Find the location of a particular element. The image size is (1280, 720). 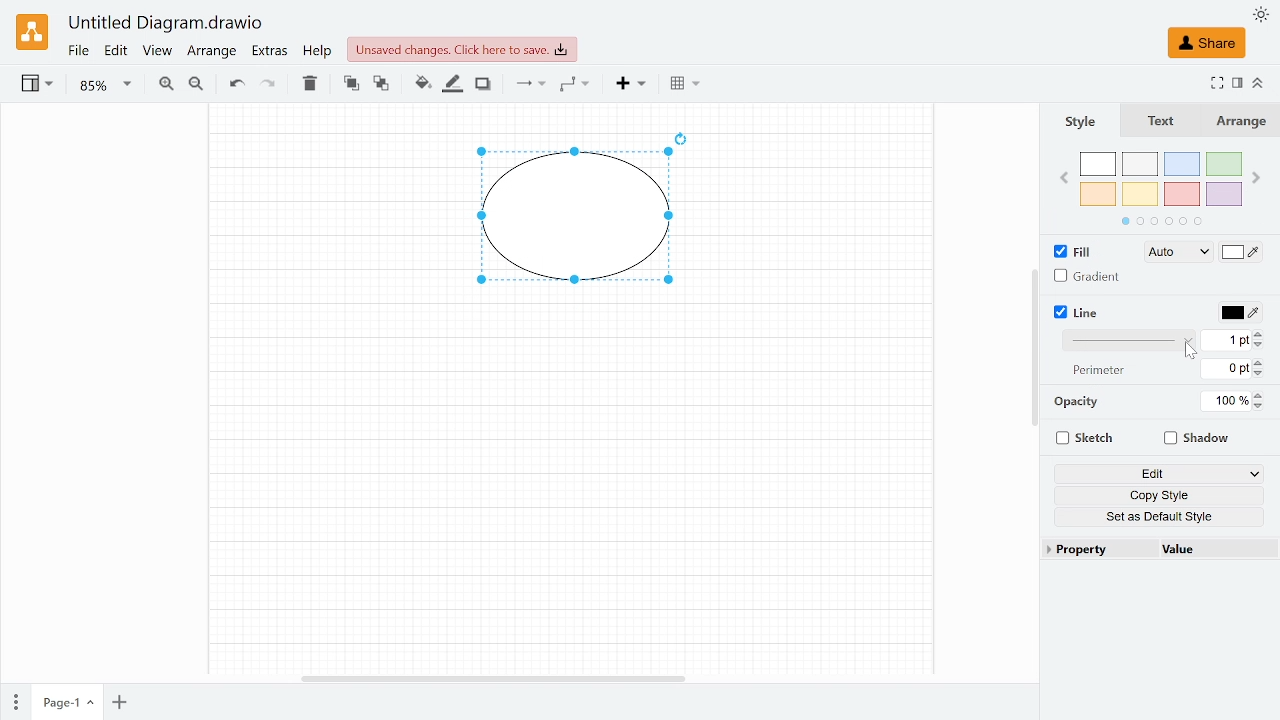

Zoom out is located at coordinates (199, 86).